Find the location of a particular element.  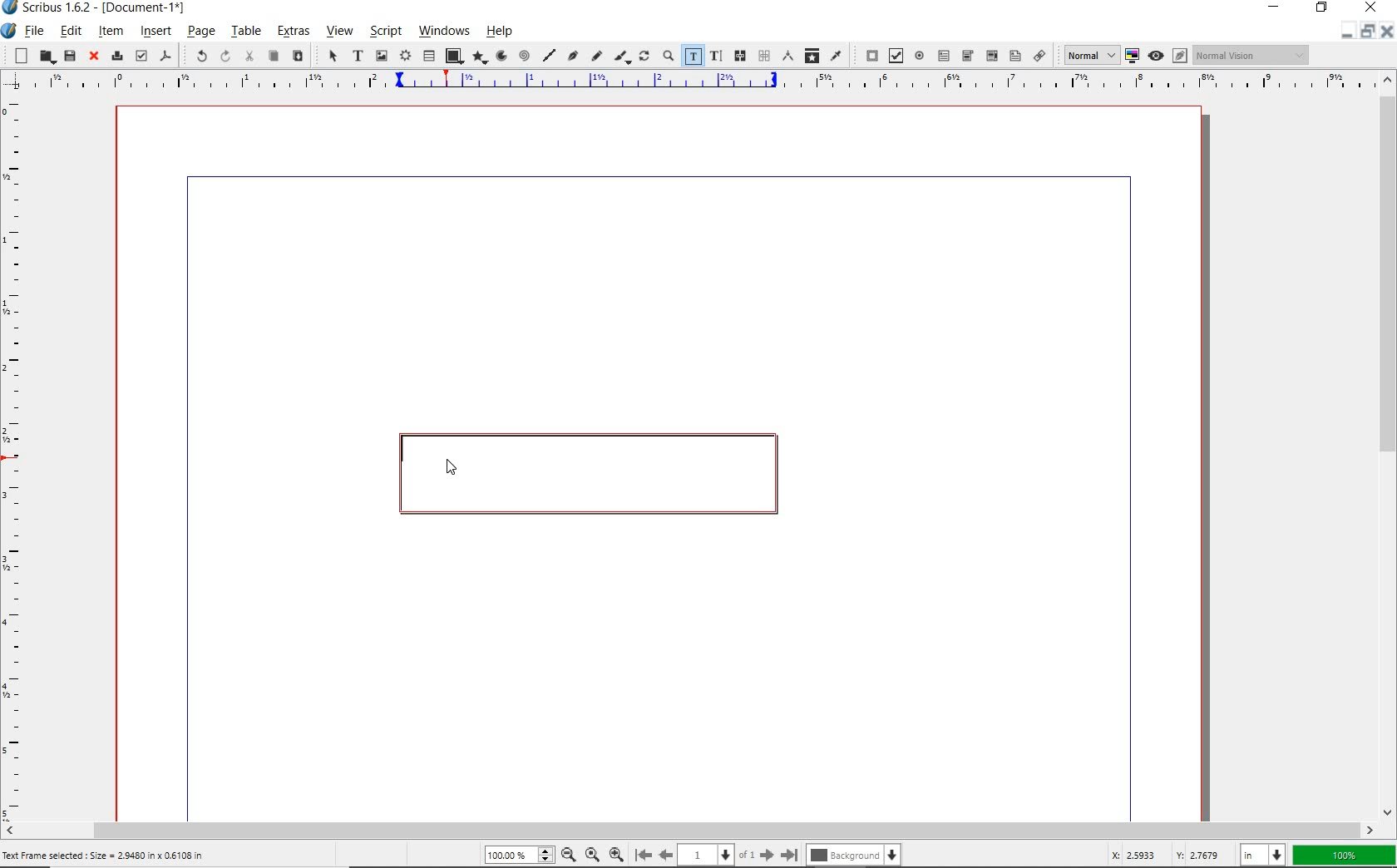

Close is located at coordinates (1385, 33).